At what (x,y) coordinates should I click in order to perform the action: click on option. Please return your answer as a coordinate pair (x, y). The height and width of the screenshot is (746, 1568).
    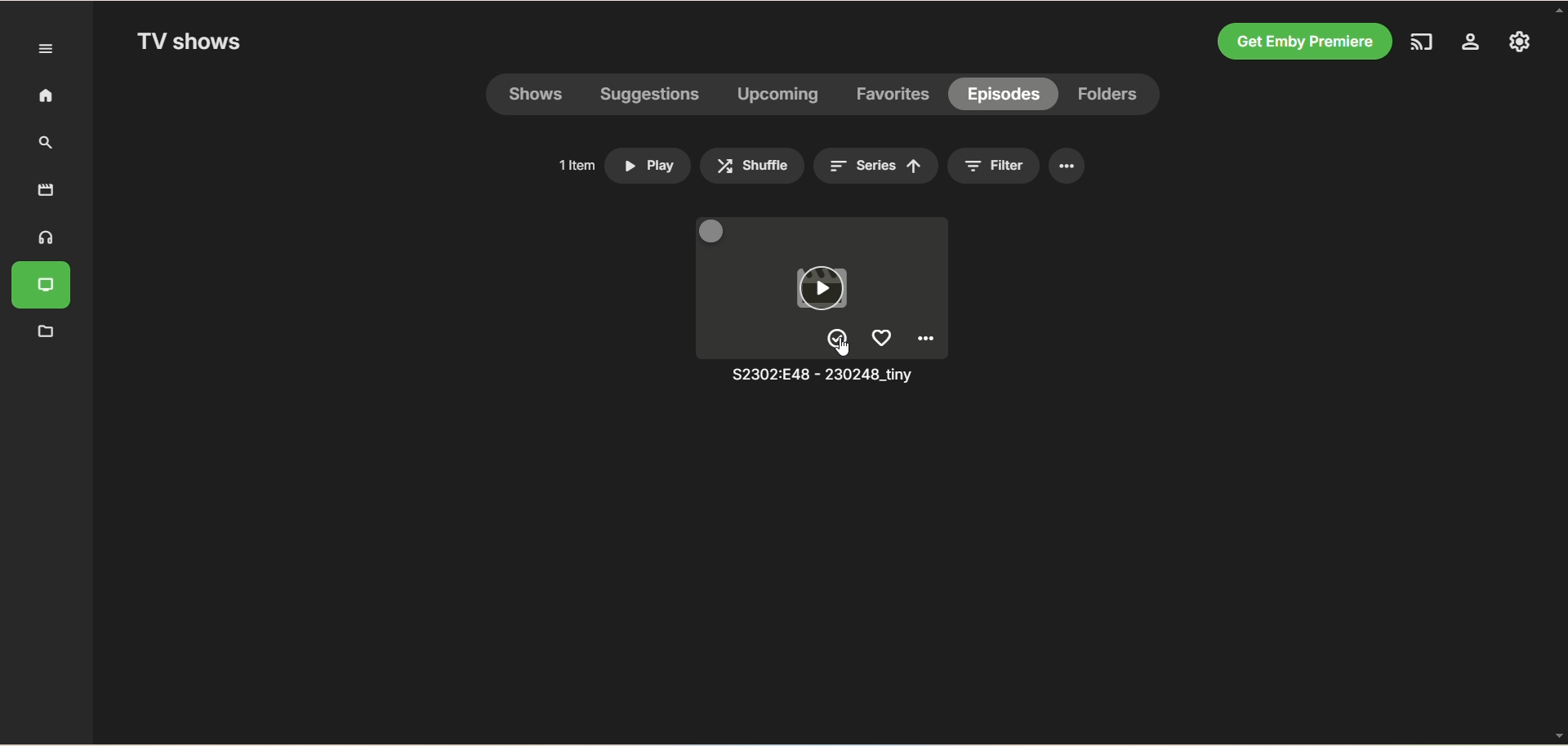
    Looking at the image, I should click on (928, 339).